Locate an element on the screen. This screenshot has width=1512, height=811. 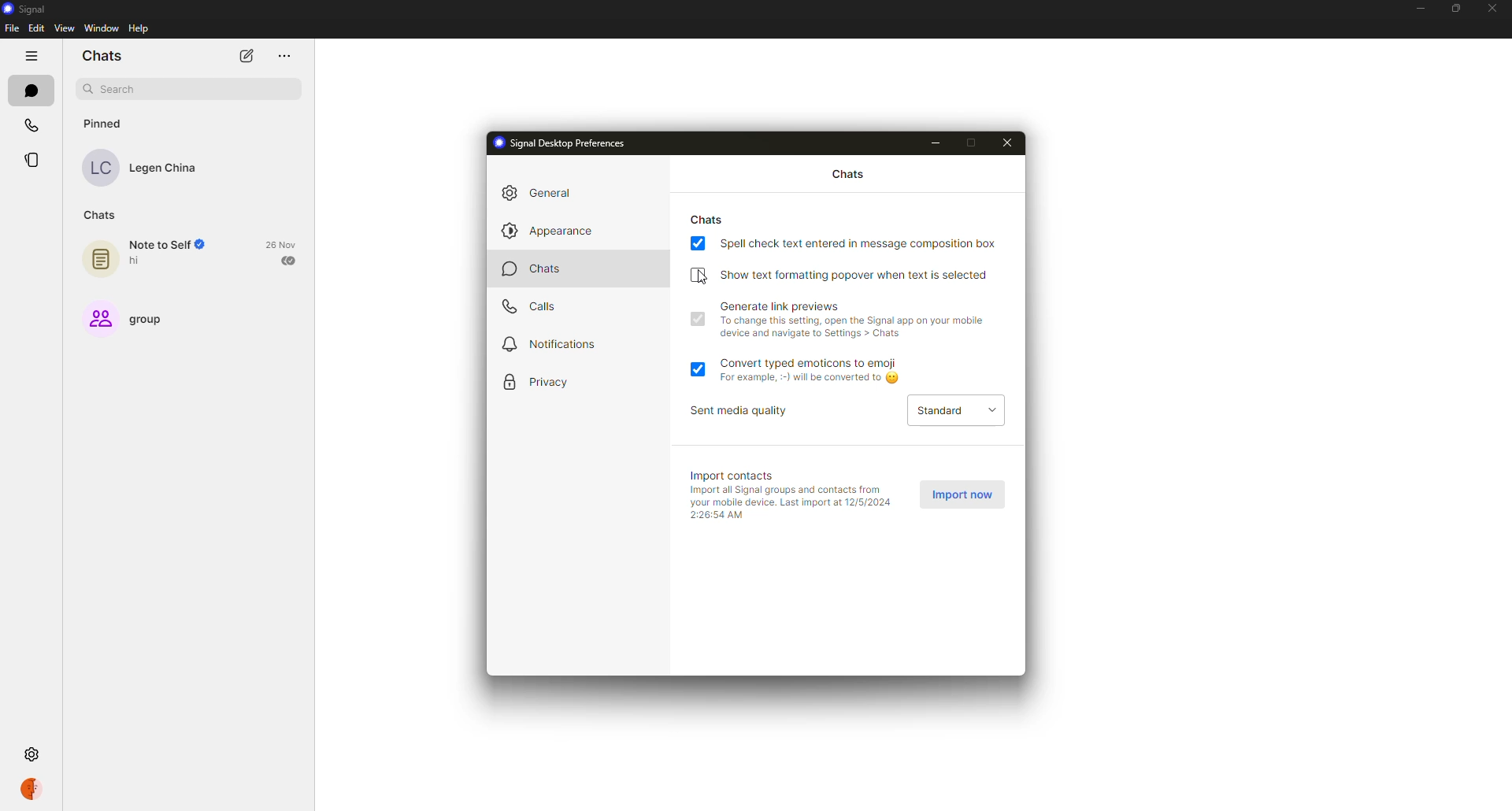
group is located at coordinates (132, 317).